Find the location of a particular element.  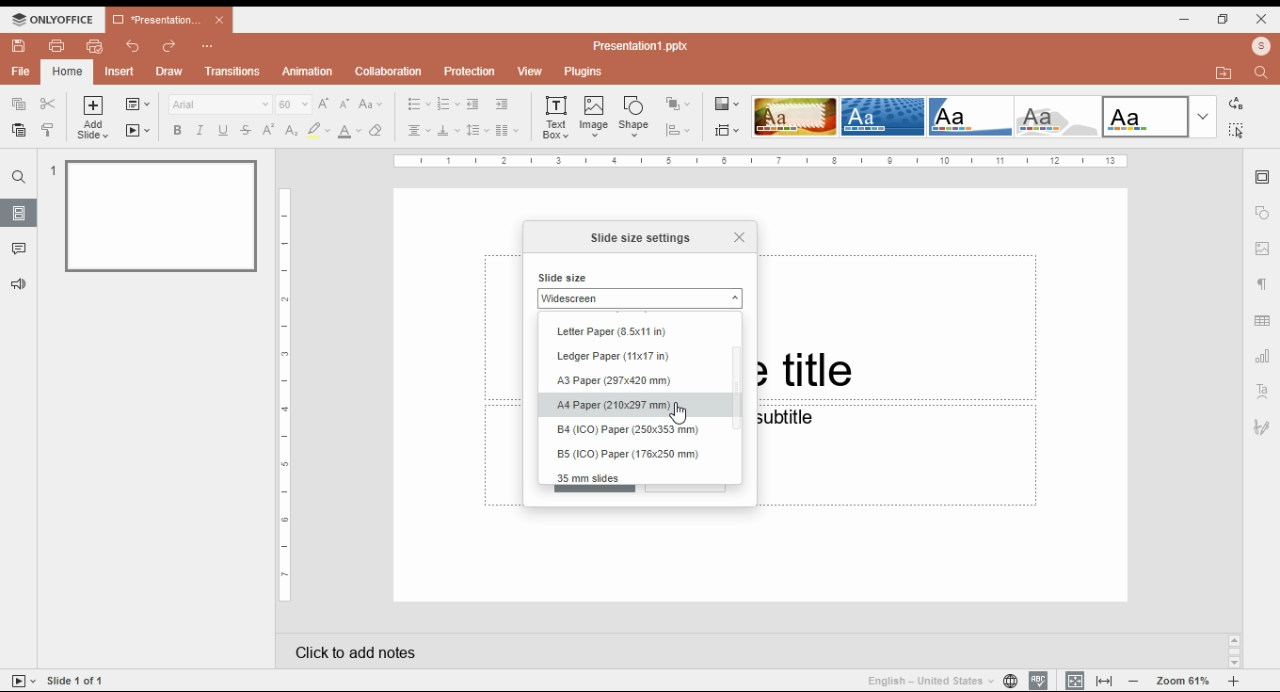

profile is located at coordinates (1261, 46).